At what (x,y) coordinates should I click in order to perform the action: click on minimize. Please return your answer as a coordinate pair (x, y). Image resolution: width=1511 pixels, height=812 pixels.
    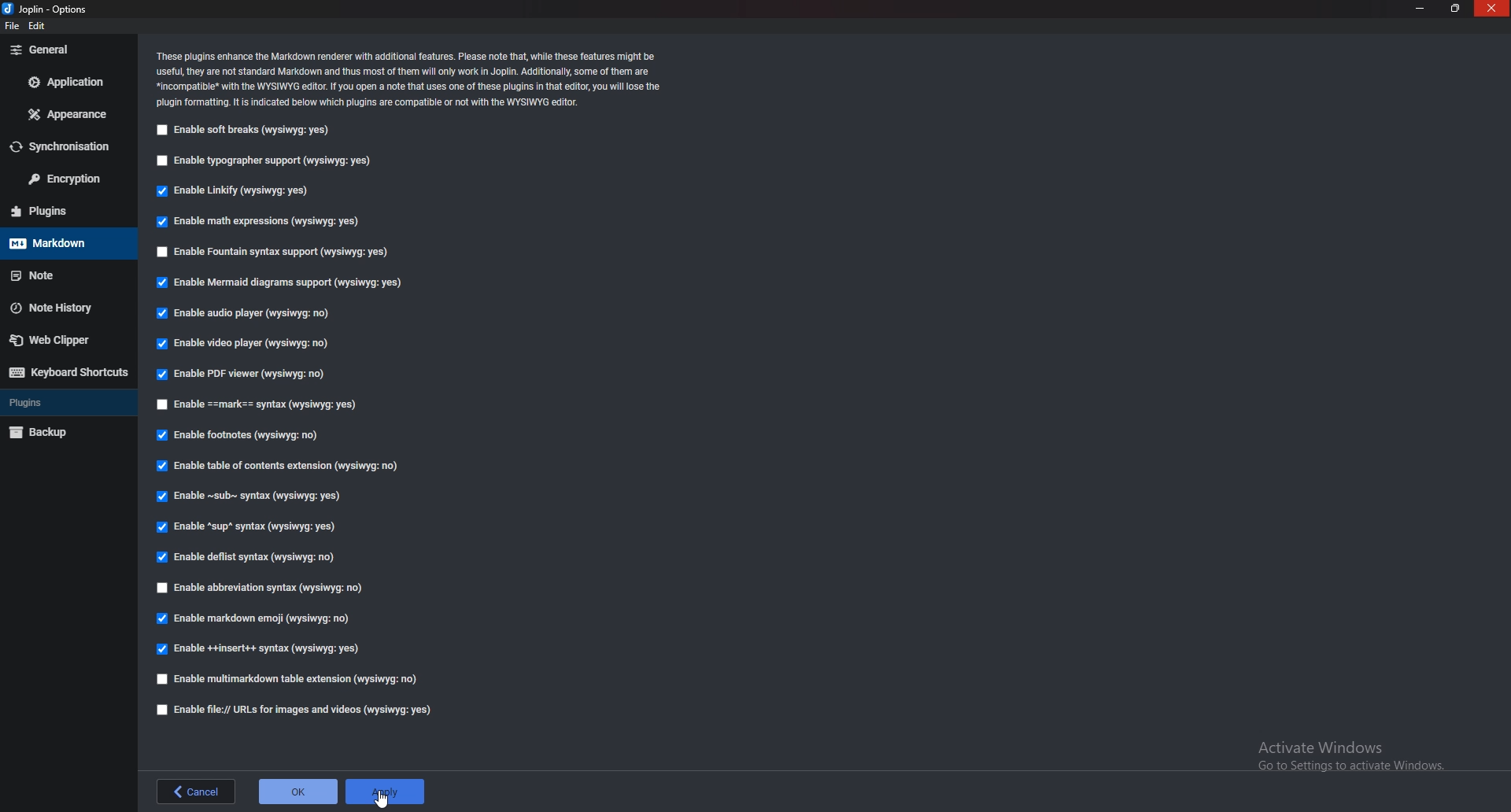
    Looking at the image, I should click on (1423, 9).